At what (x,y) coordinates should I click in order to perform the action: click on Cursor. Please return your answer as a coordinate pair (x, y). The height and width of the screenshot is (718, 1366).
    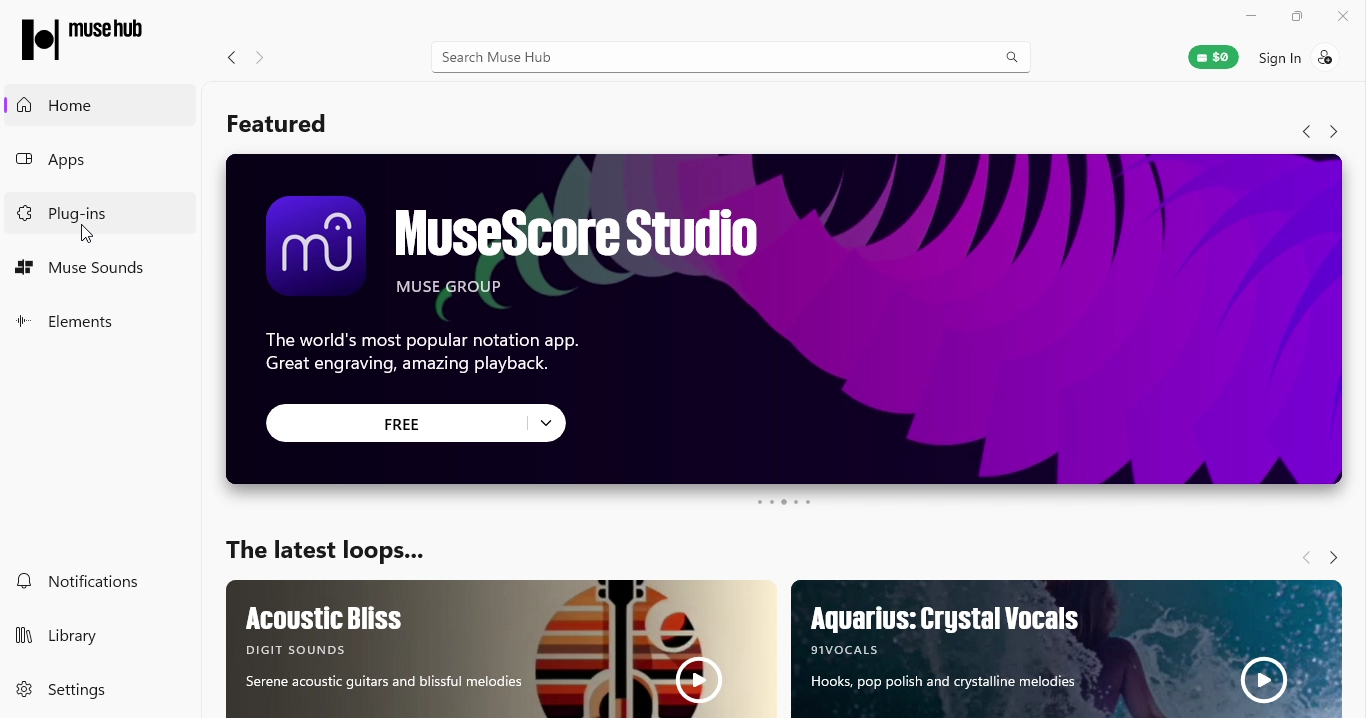
    Looking at the image, I should click on (81, 234).